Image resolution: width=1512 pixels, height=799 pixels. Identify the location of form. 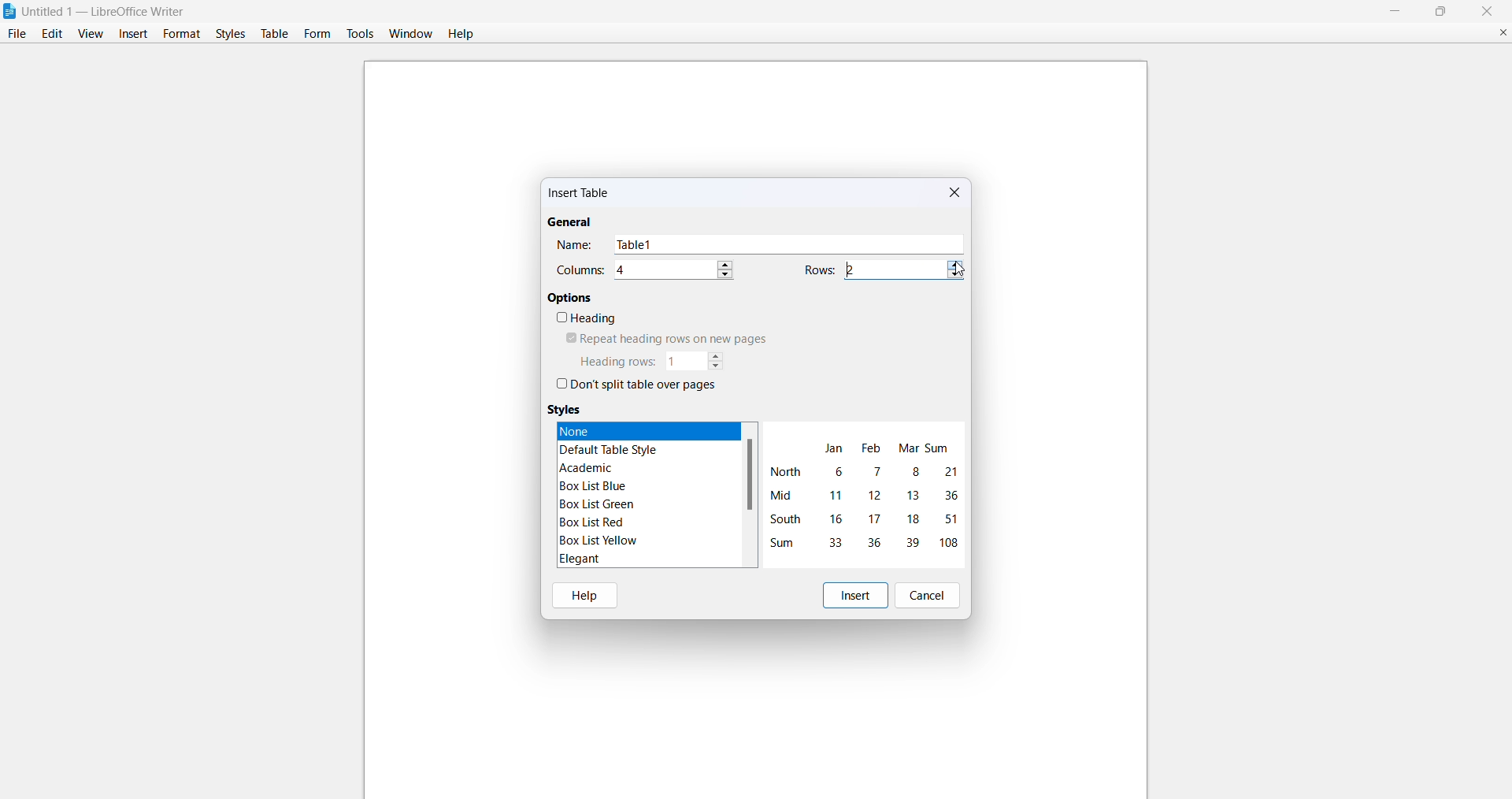
(317, 33).